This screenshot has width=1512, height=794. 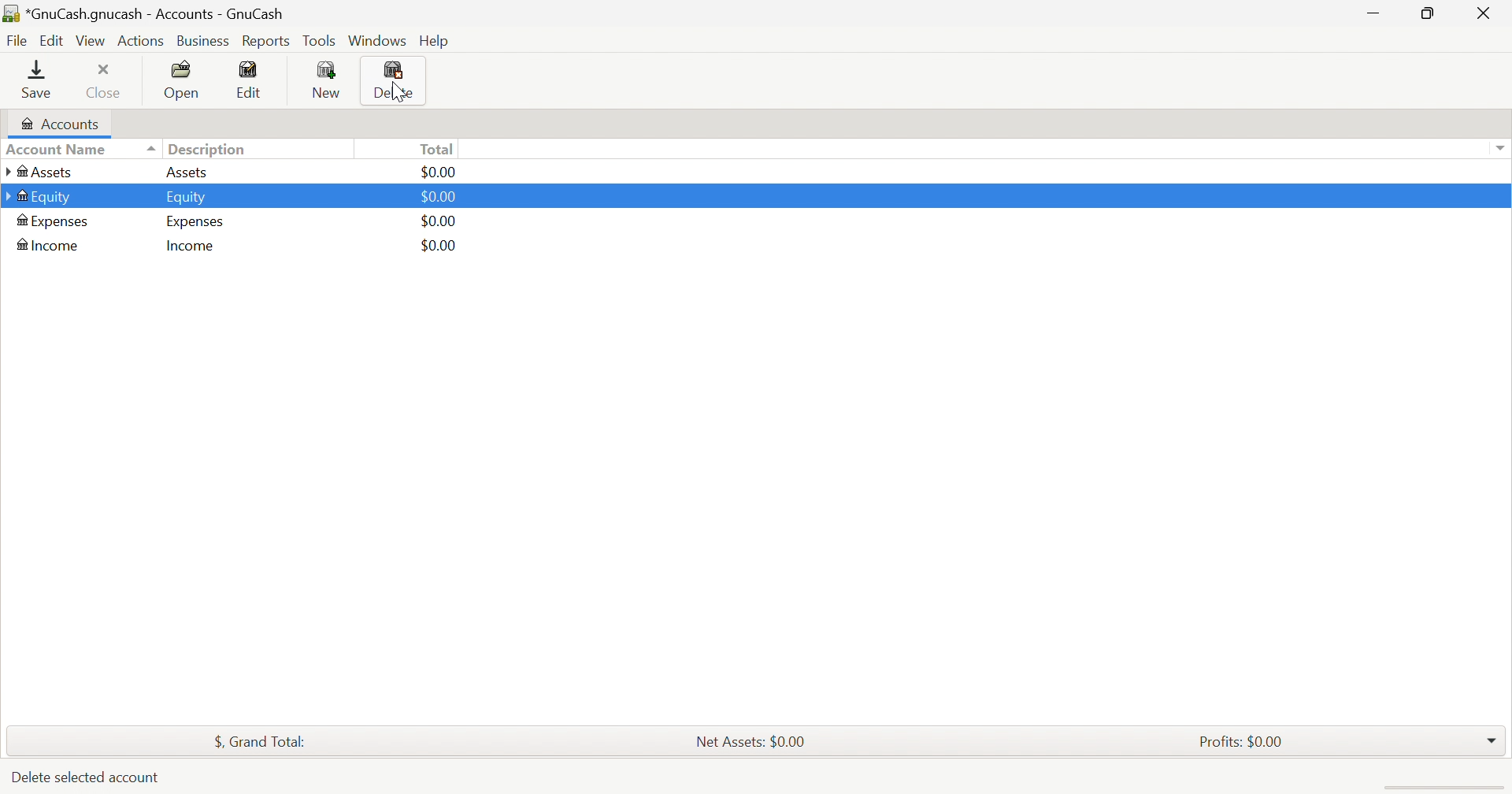 What do you see at coordinates (1244, 742) in the screenshot?
I see `Profits: $0.00` at bounding box center [1244, 742].